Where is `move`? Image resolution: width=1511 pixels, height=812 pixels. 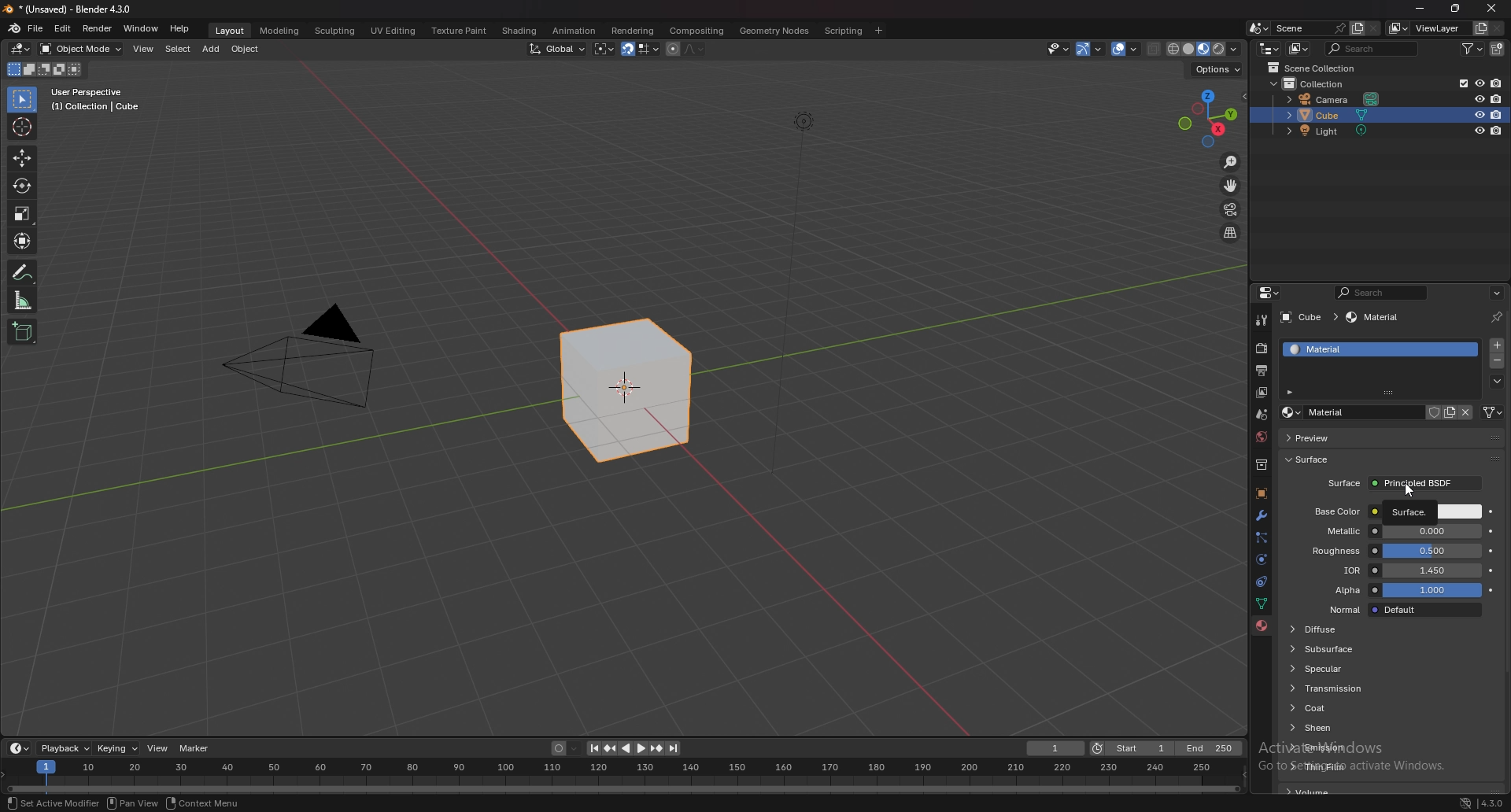 move is located at coordinates (21, 159).